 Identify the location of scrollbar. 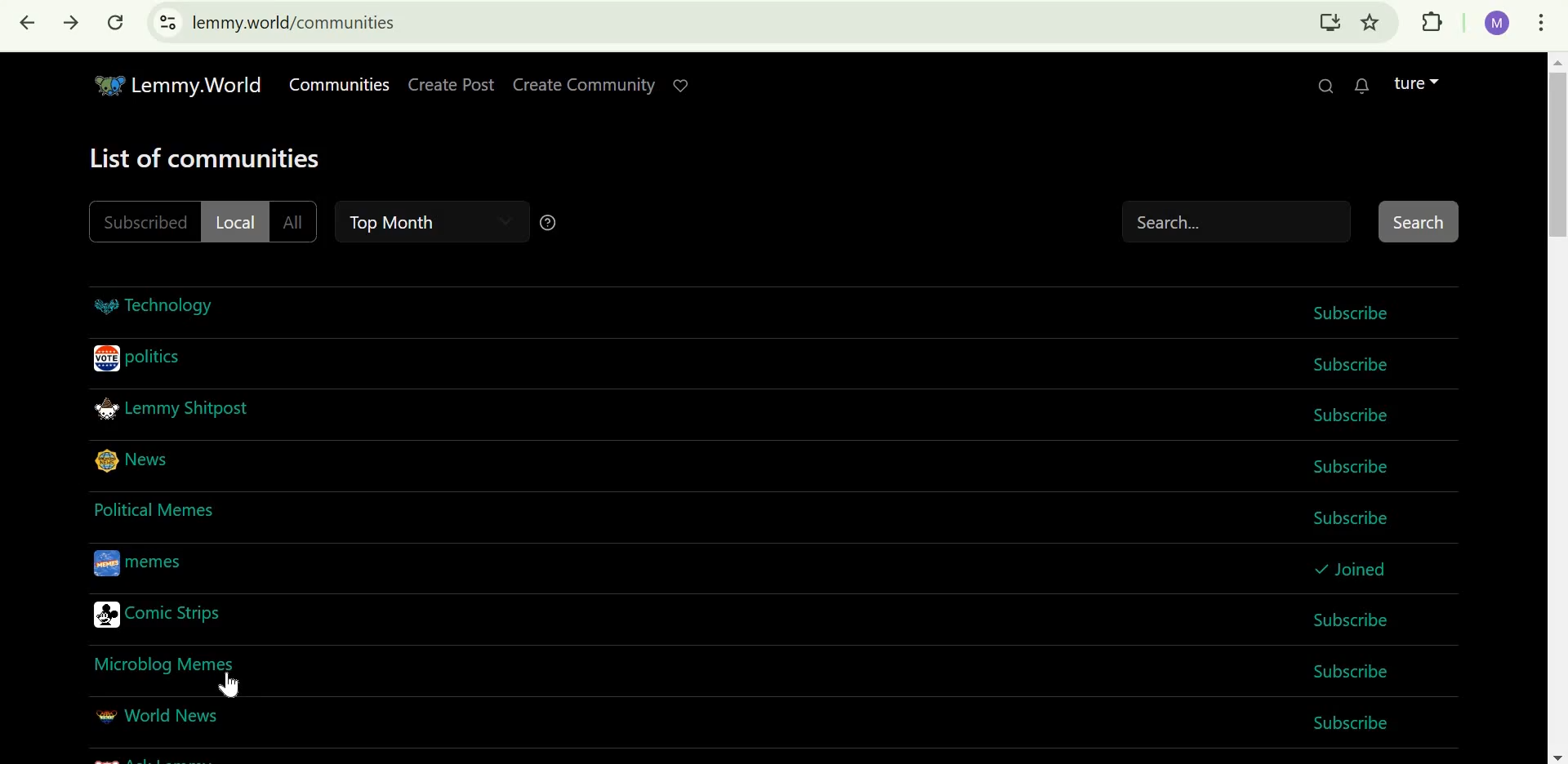
(1557, 408).